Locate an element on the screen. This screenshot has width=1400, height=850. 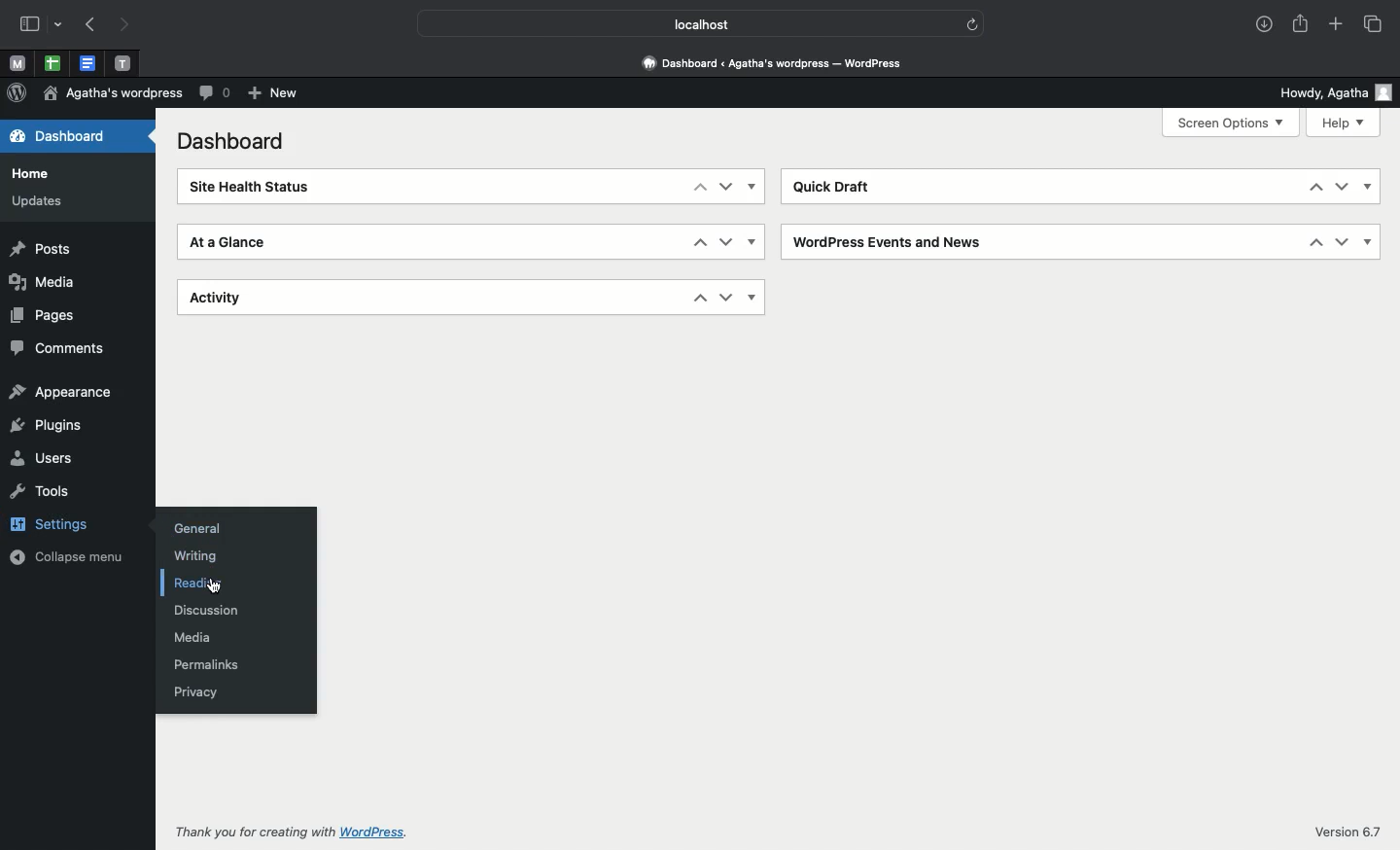
Howdy user is located at coordinates (1326, 91).